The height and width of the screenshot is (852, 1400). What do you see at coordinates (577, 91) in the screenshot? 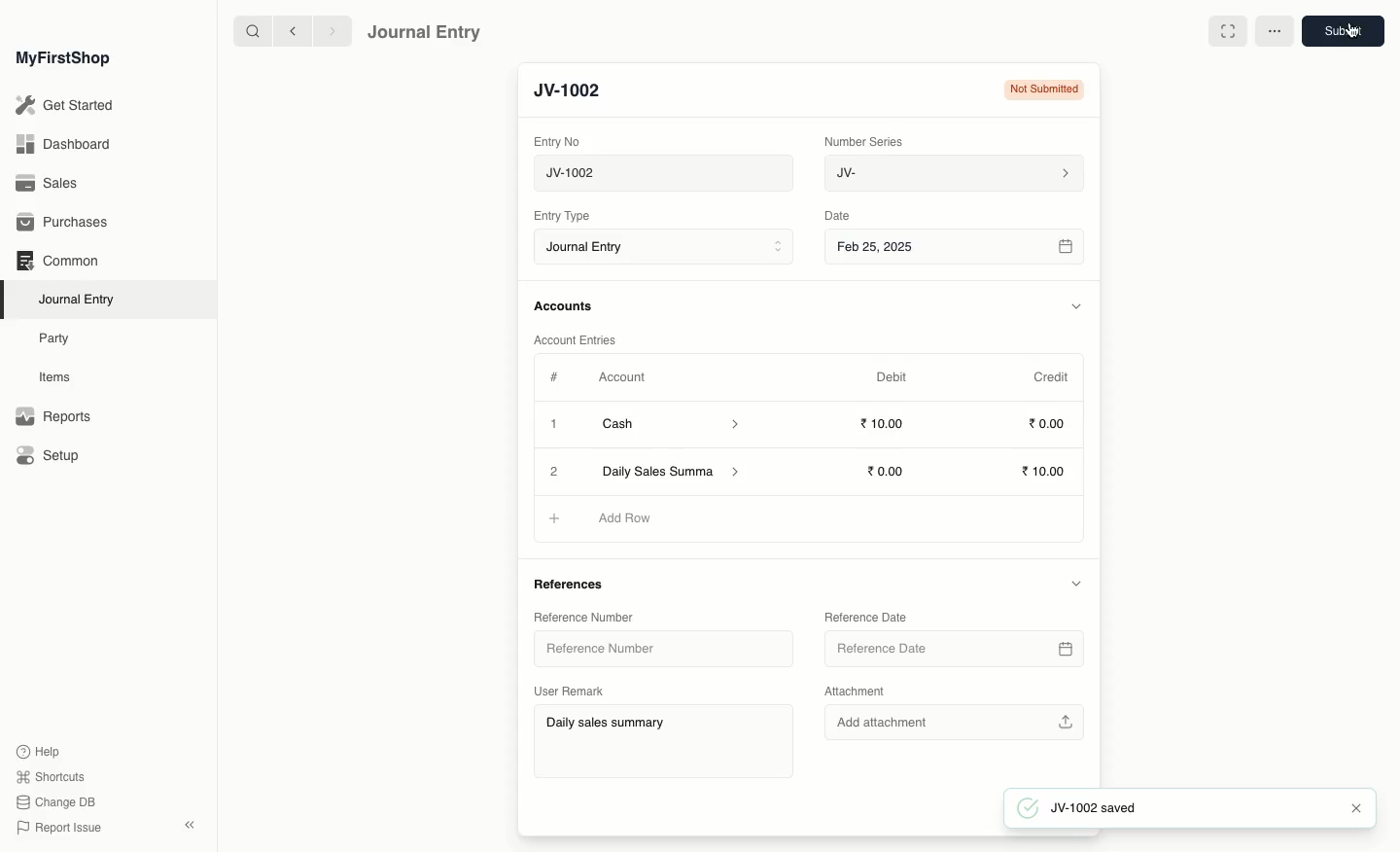
I see `New Entry` at bounding box center [577, 91].